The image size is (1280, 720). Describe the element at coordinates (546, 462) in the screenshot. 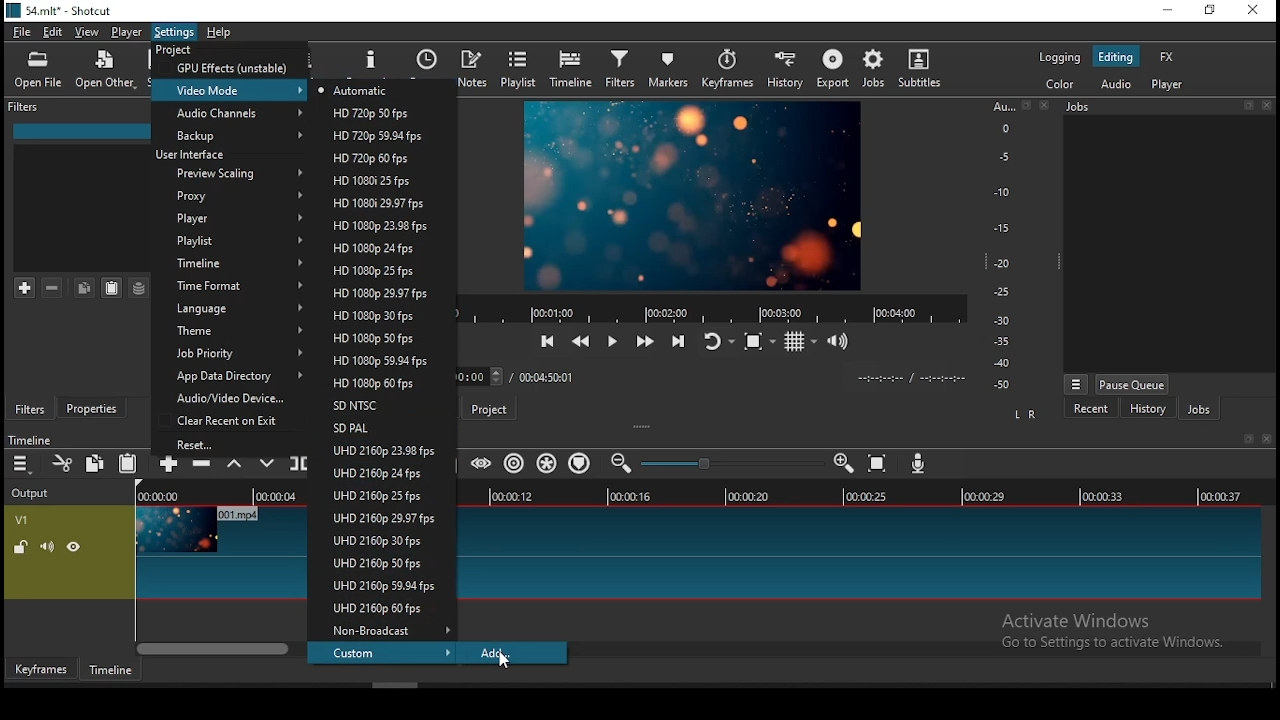

I see `ripple all tracks` at that location.